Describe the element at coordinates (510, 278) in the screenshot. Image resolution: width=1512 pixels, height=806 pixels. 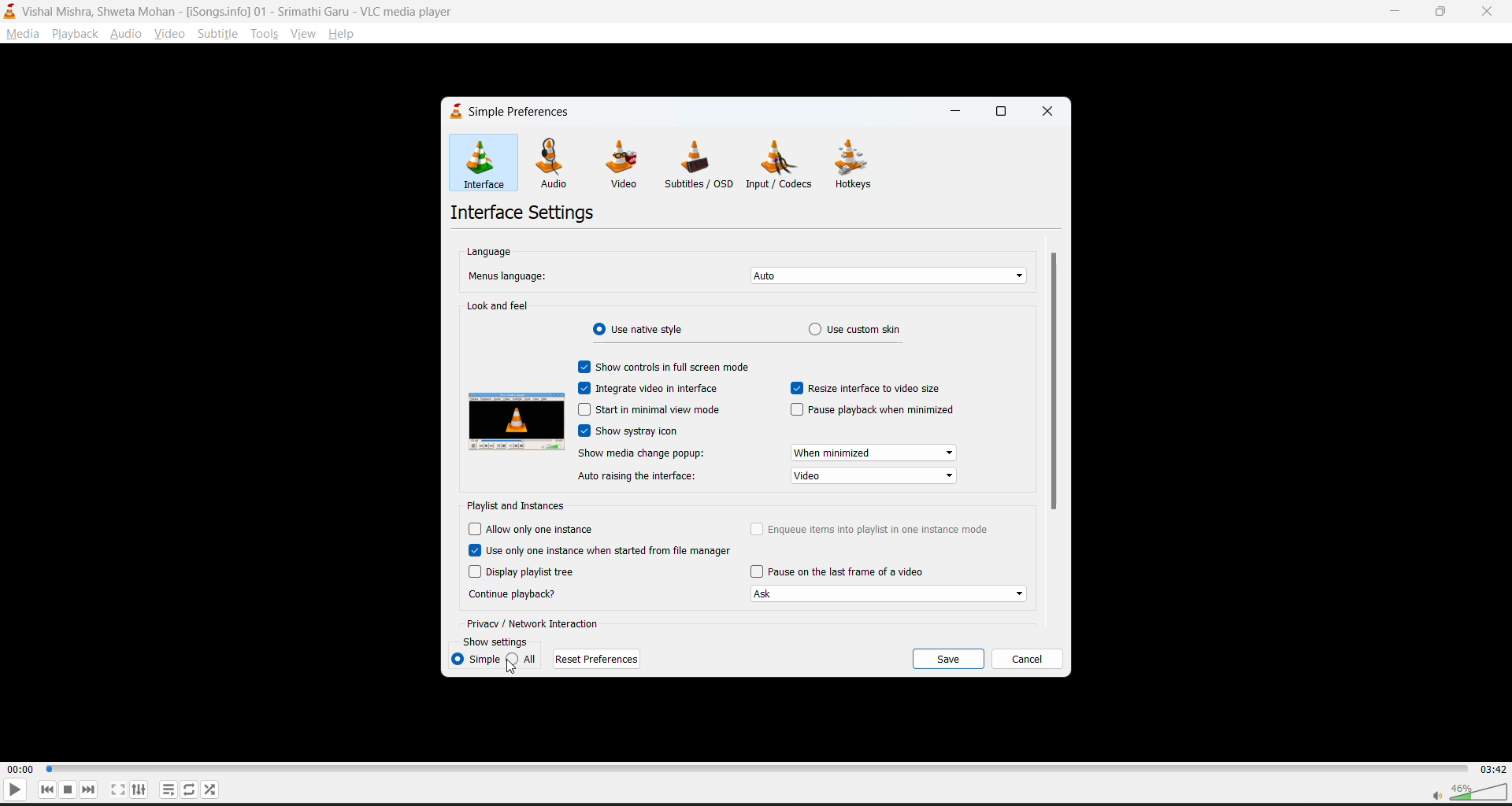
I see `menus language` at that location.